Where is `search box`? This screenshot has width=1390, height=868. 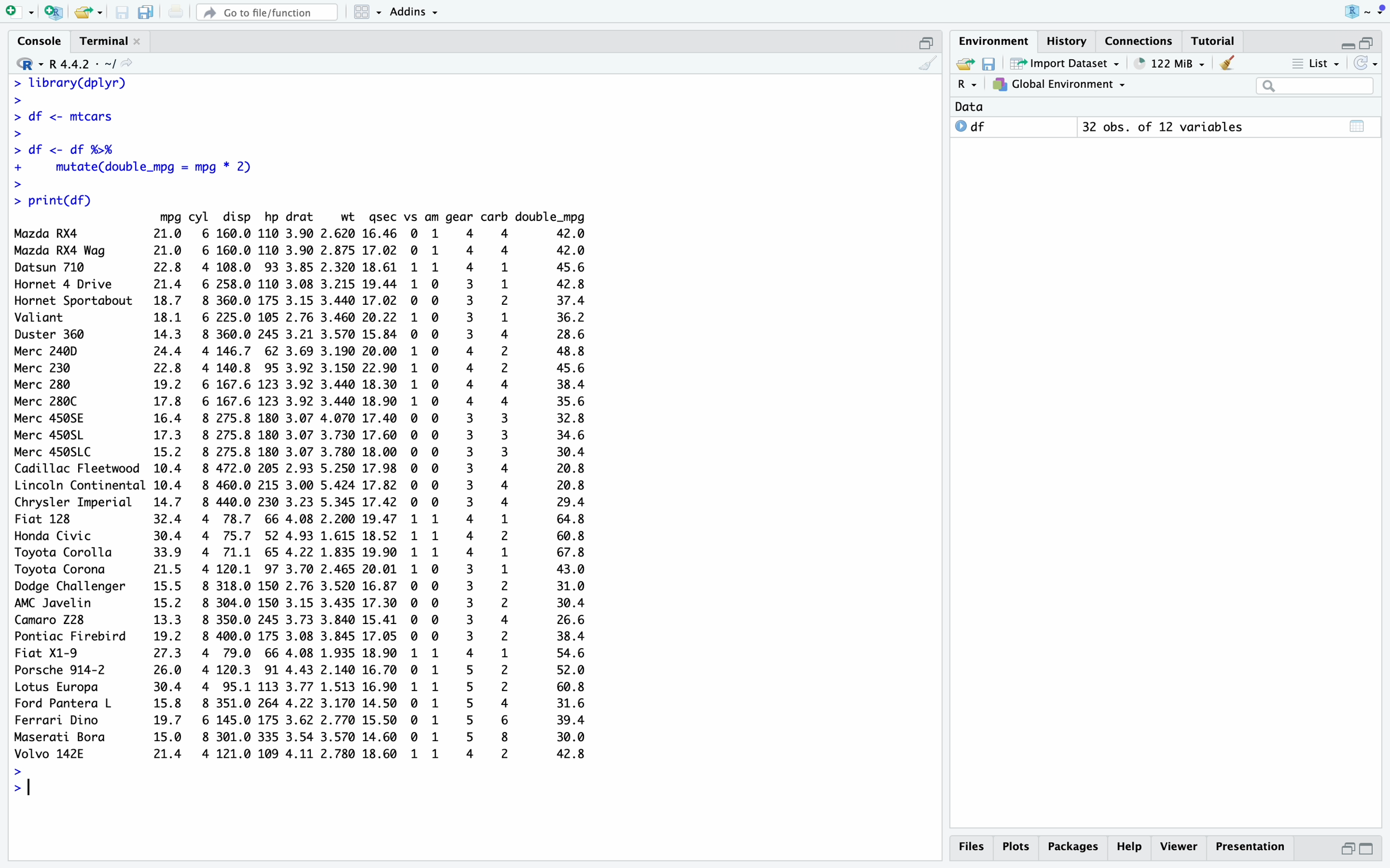
search box is located at coordinates (1315, 86).